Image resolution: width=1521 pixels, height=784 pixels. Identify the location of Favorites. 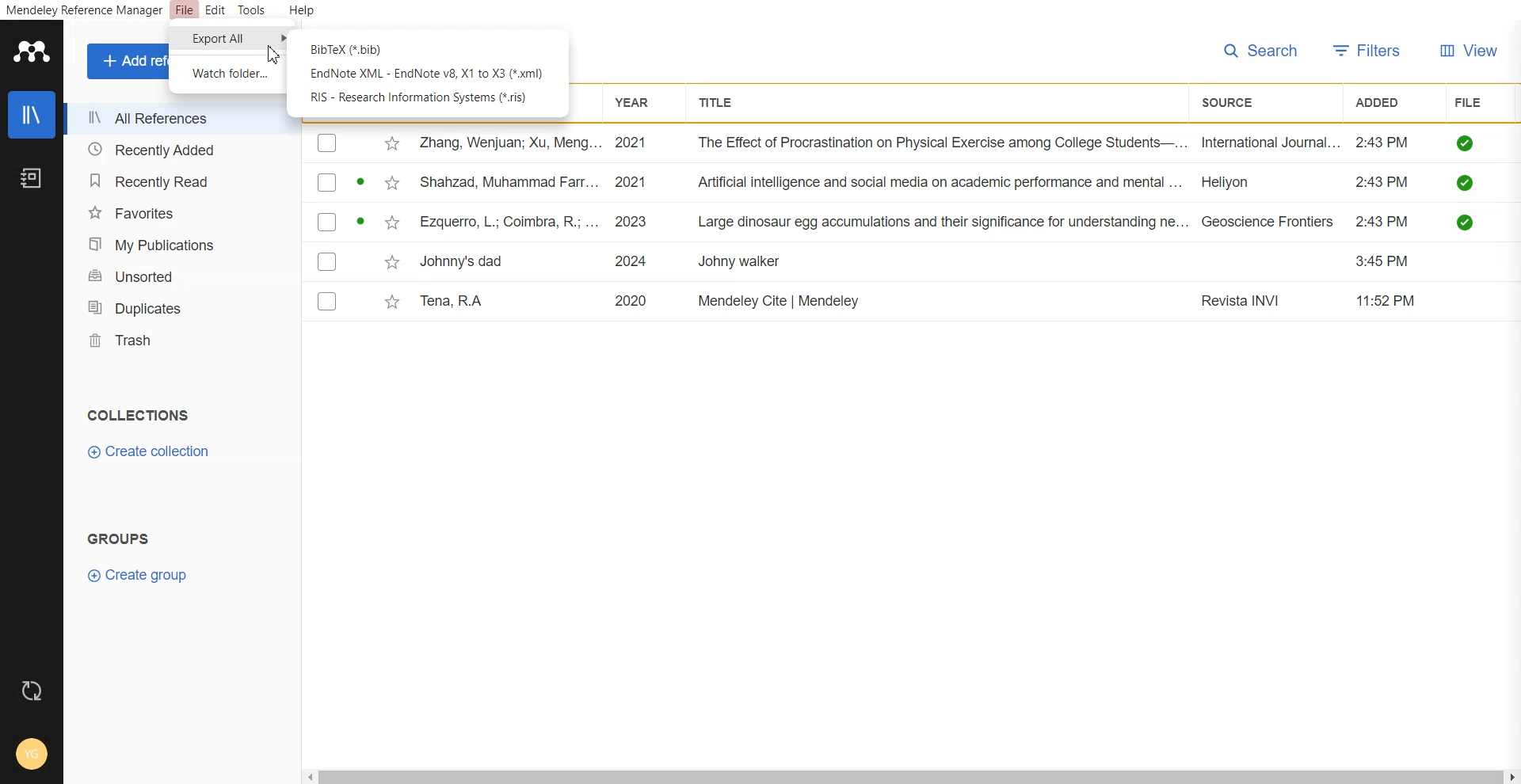
(176, 212).